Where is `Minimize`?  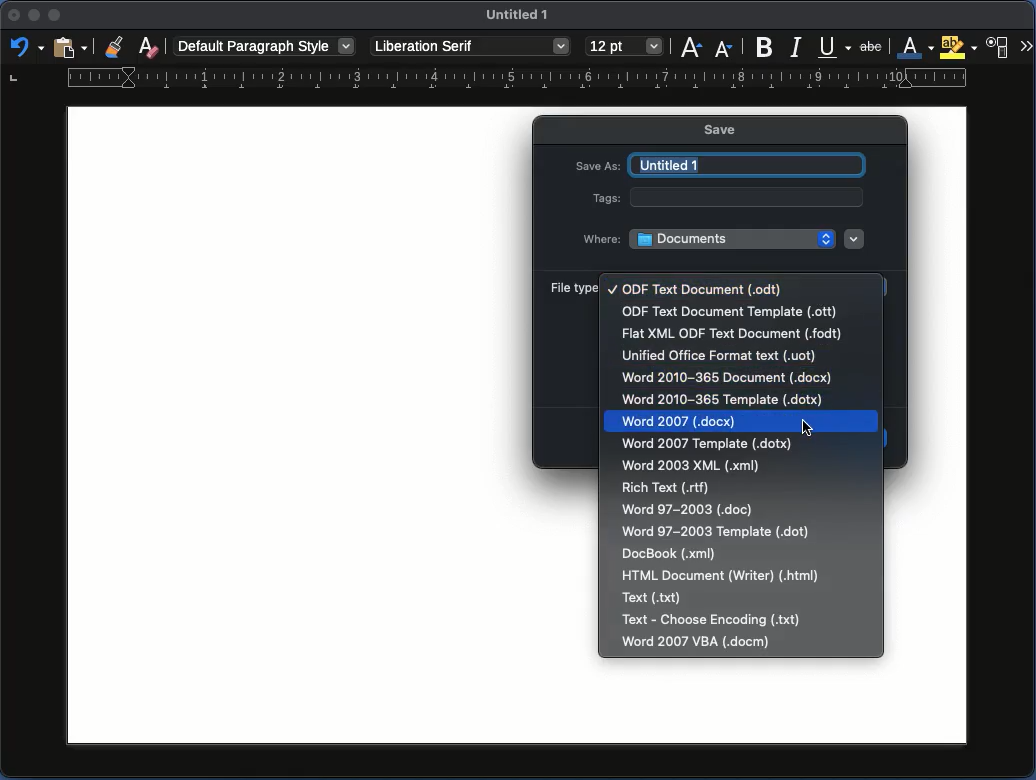
Minimize is located at coordinates (56, 16).